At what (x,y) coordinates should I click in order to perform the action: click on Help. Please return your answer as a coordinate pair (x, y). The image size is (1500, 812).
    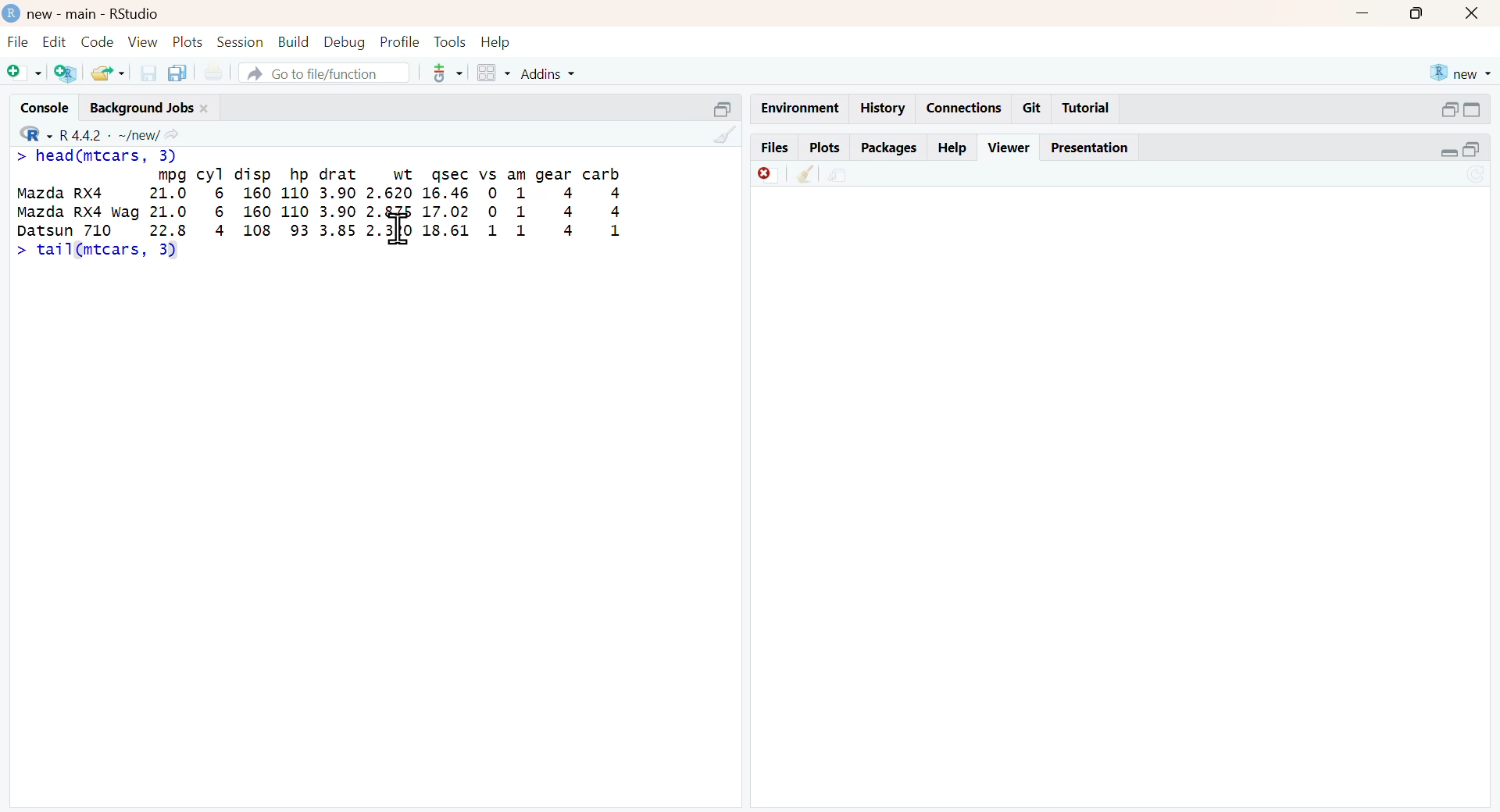
    Looking at the image, I should click on (953, 147).